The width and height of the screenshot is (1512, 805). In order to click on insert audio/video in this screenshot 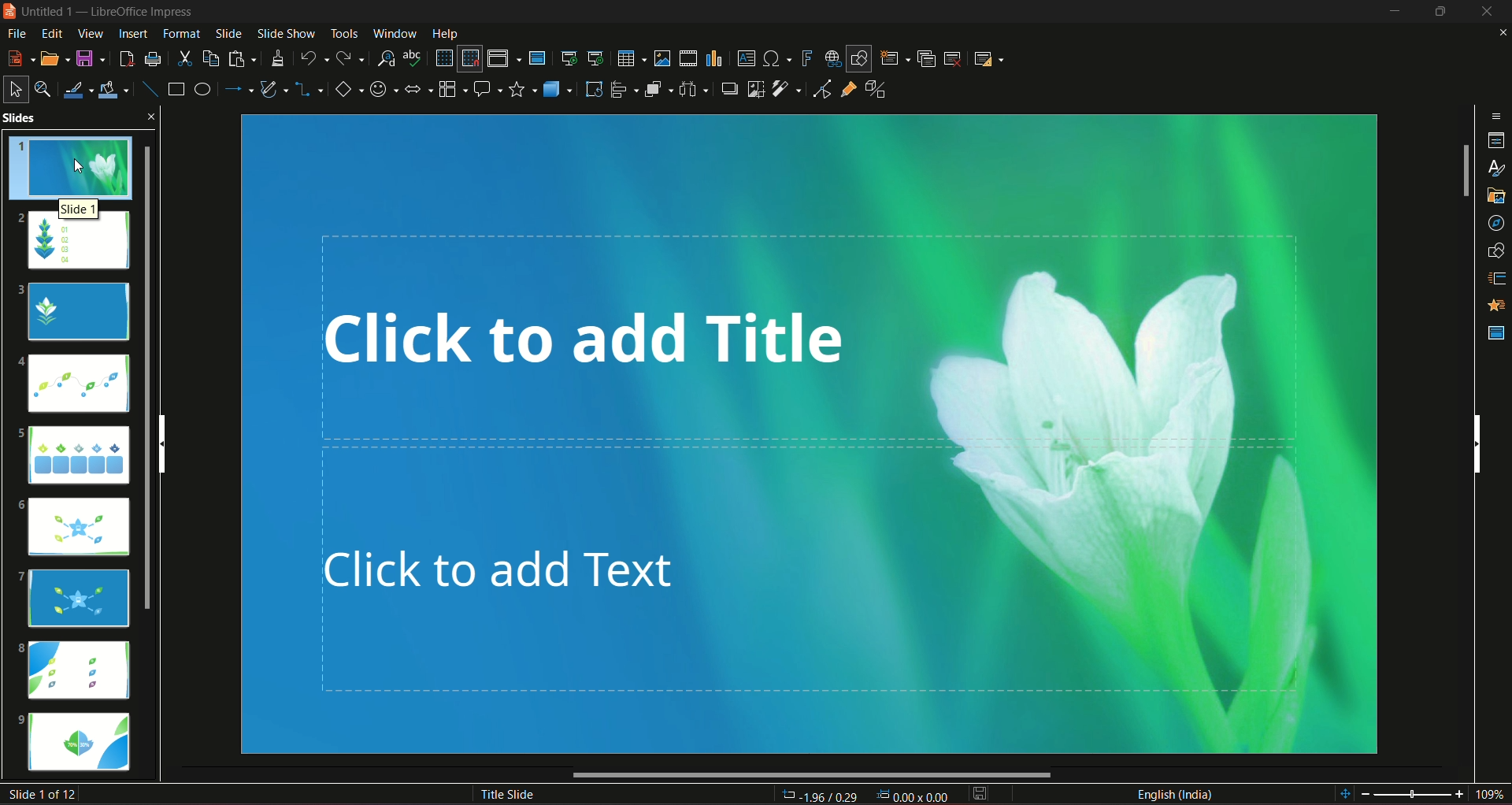, I will do `click(689, 59)`.